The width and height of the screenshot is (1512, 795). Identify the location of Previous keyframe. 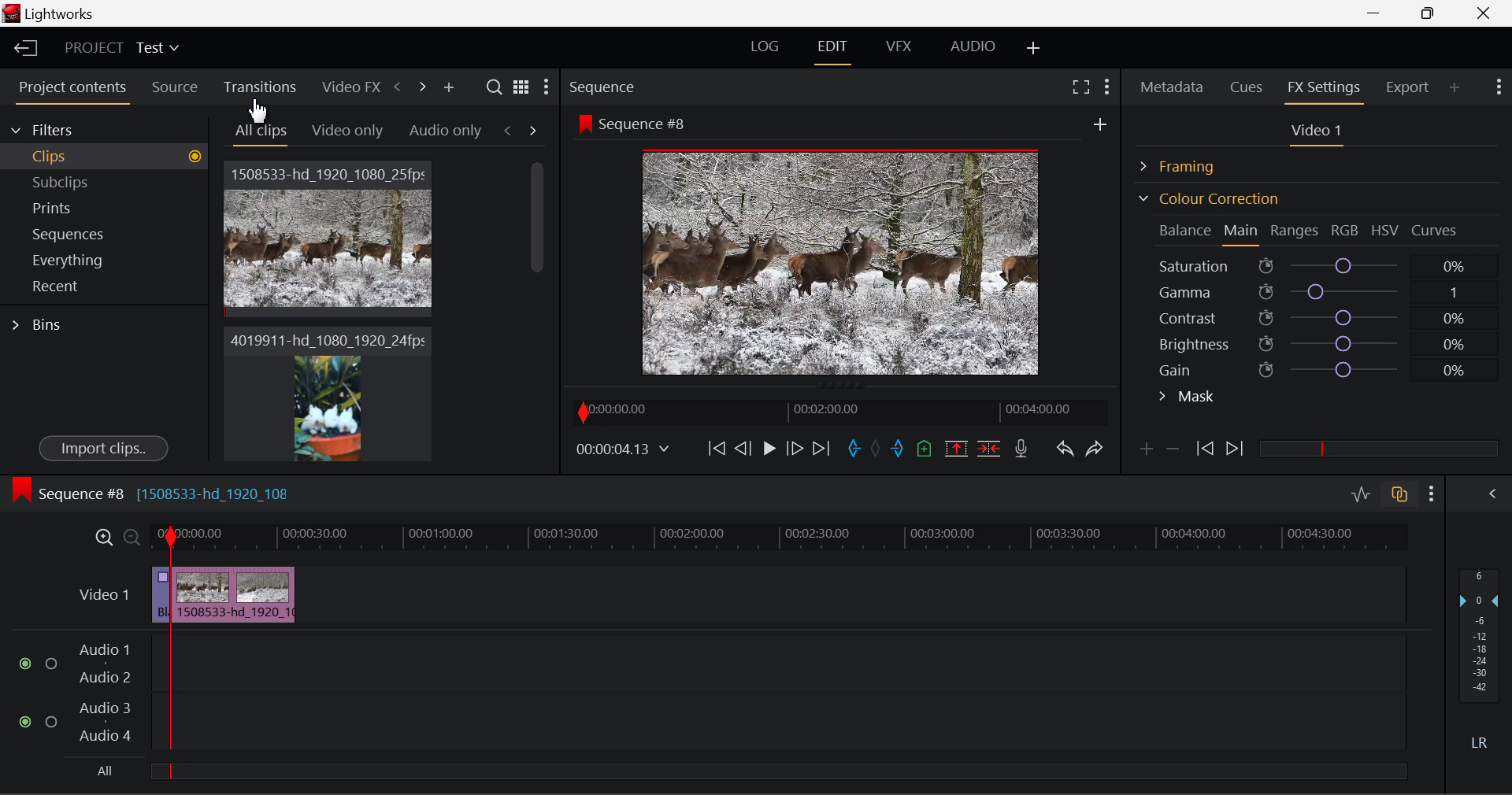
(1203, 449).